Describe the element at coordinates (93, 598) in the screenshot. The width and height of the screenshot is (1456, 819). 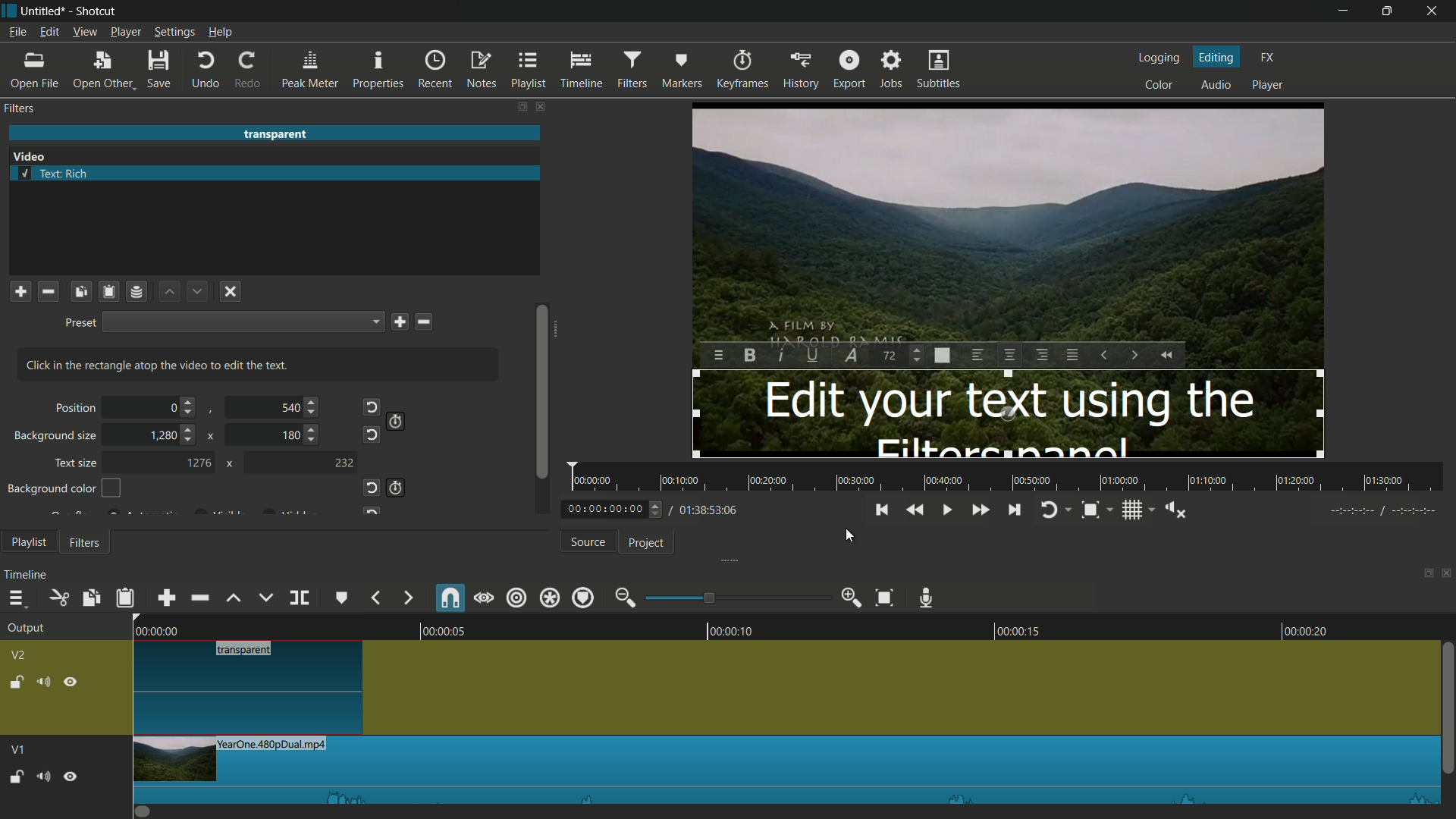
I see `copy` at that location.